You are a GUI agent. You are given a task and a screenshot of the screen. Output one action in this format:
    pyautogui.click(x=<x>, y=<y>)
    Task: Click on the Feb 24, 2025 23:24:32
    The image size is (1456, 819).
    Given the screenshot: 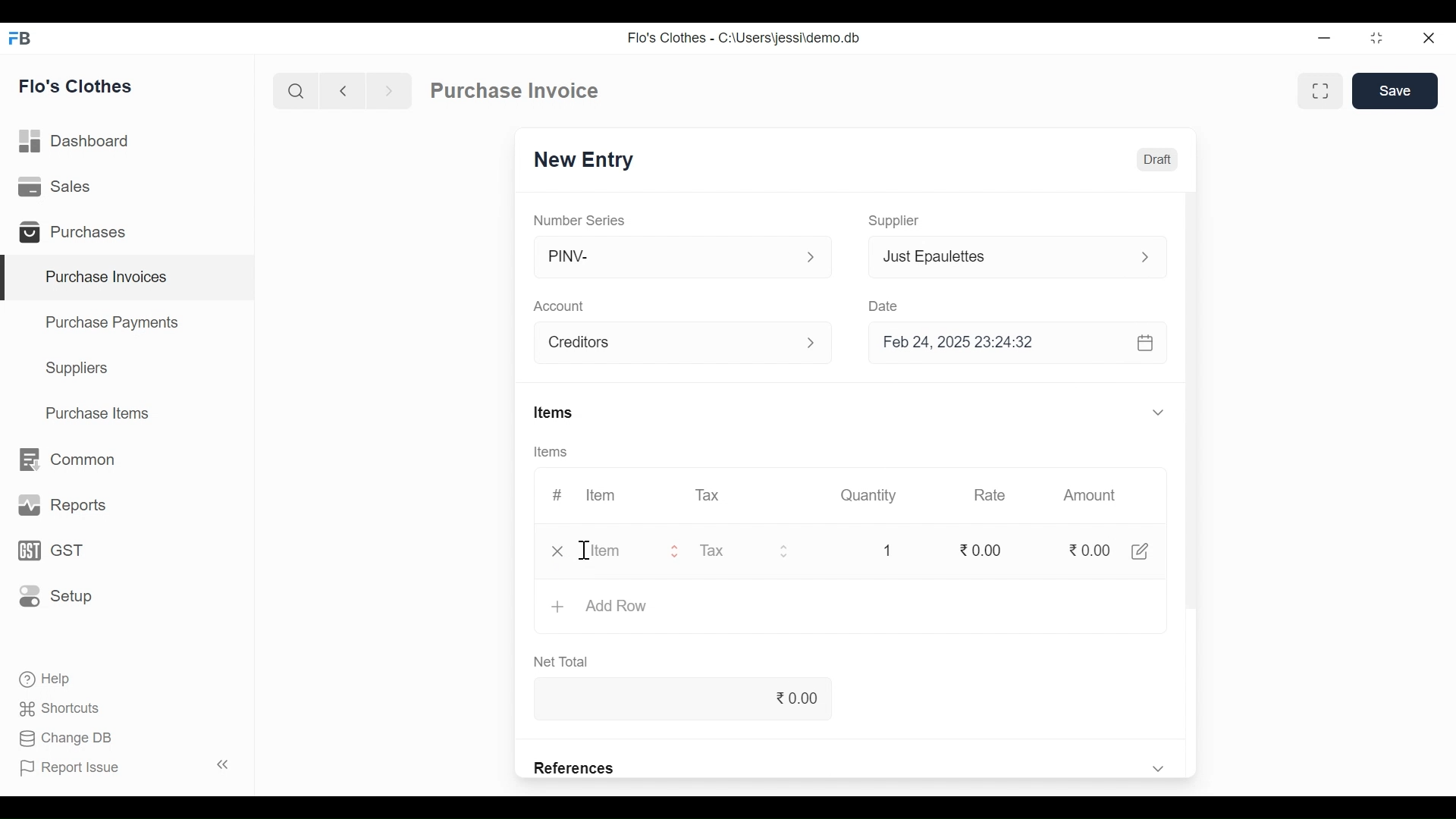 What is the action you would take?
    pyautogui.click(x=1020, y=344)
    